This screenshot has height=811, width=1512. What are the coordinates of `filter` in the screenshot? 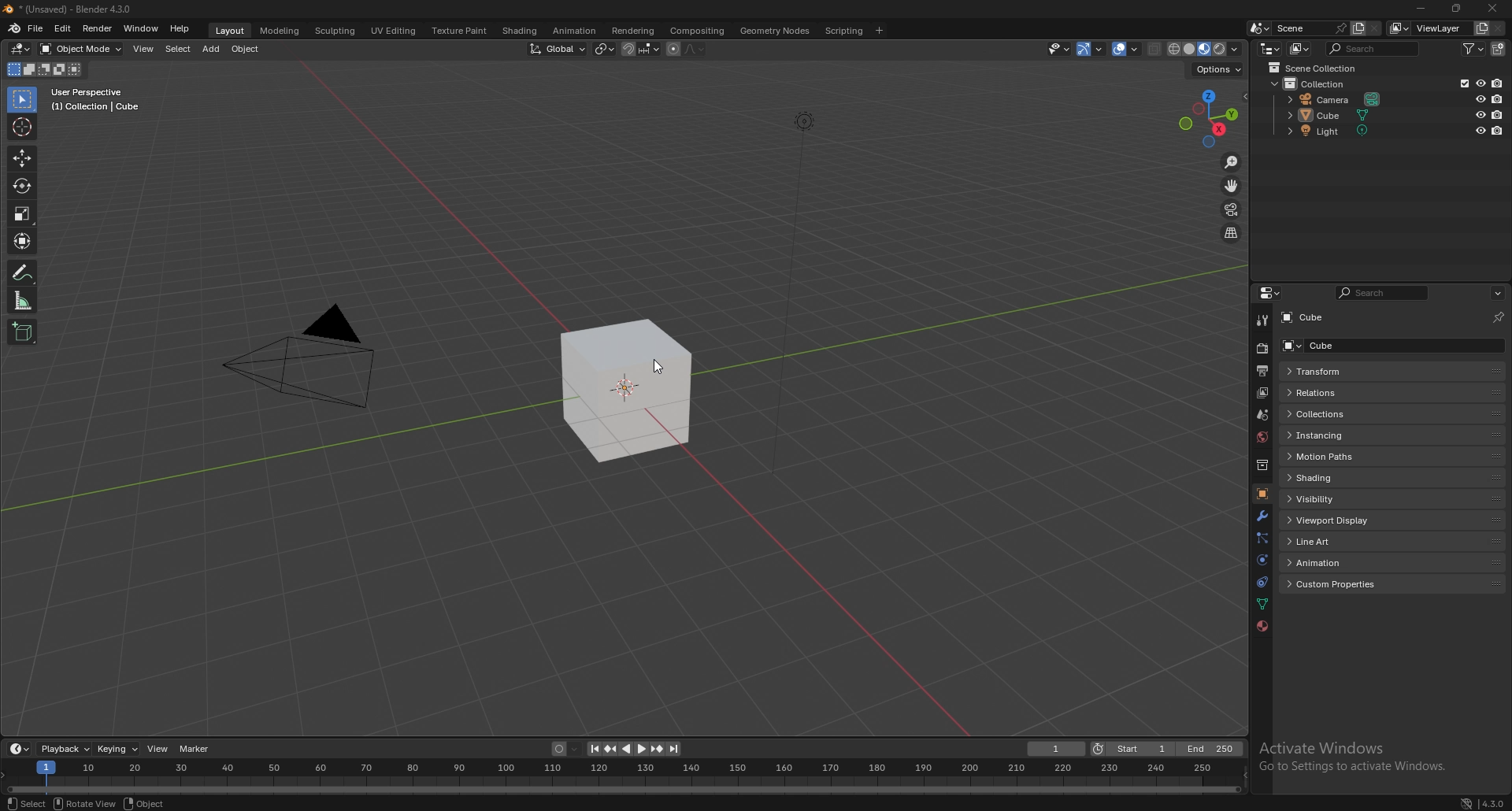 It's located at (1473, 48).